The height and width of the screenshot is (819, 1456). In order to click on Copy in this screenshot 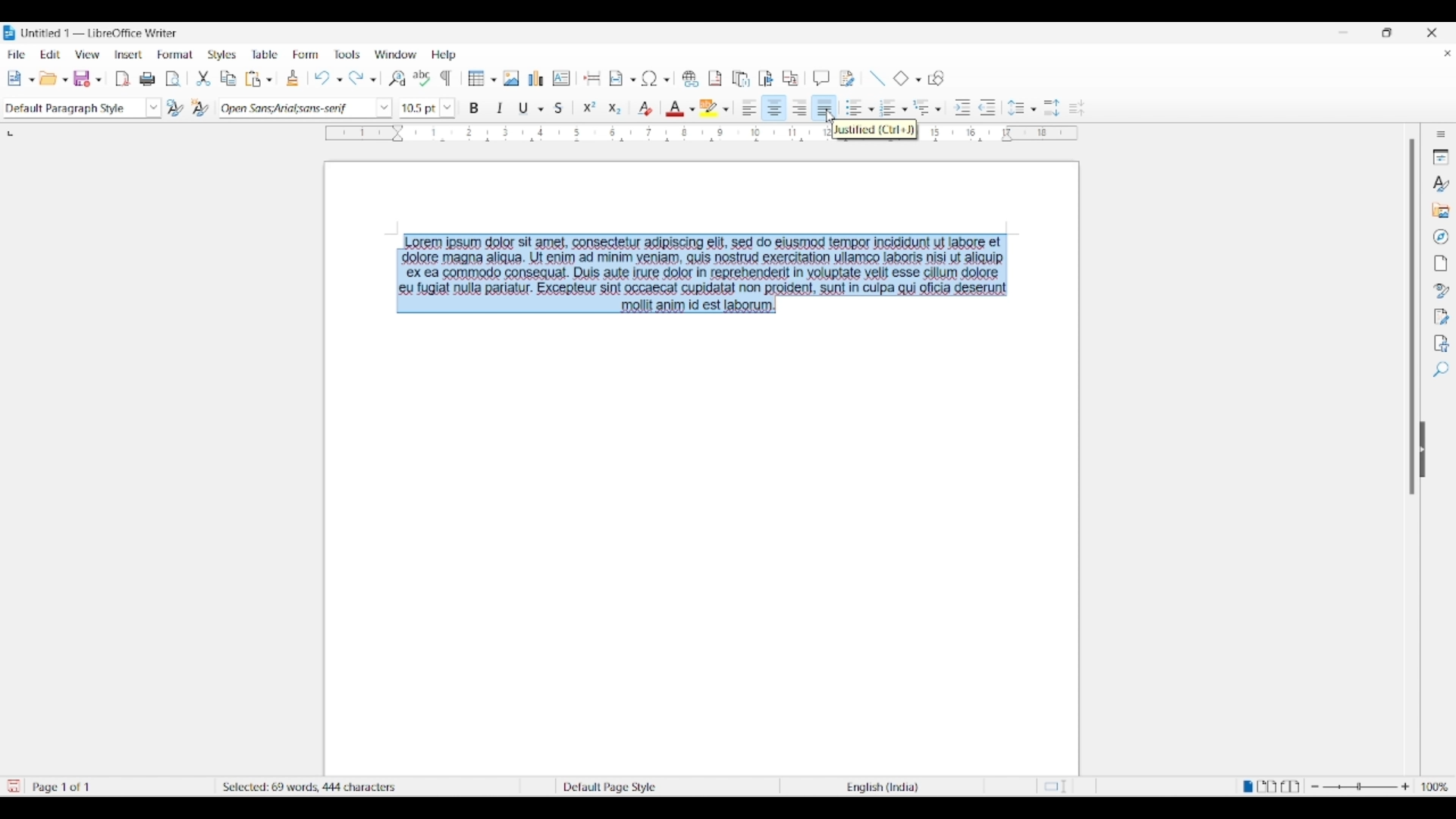, I will do `click(228, 78)`.